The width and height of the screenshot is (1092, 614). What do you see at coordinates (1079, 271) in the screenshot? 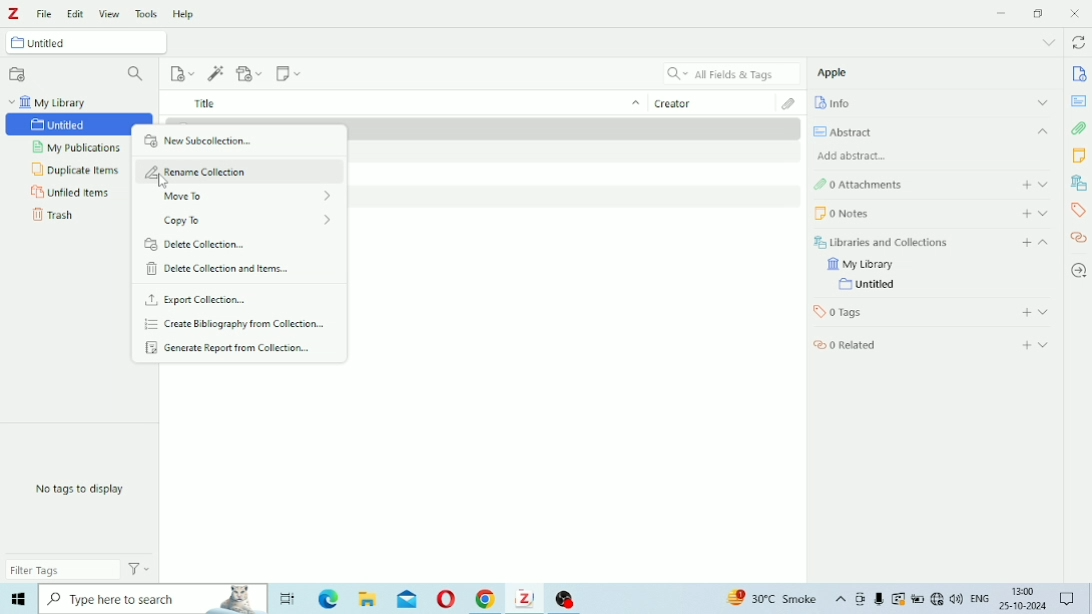
I see `Locate` at bounding box center [1079, 271].